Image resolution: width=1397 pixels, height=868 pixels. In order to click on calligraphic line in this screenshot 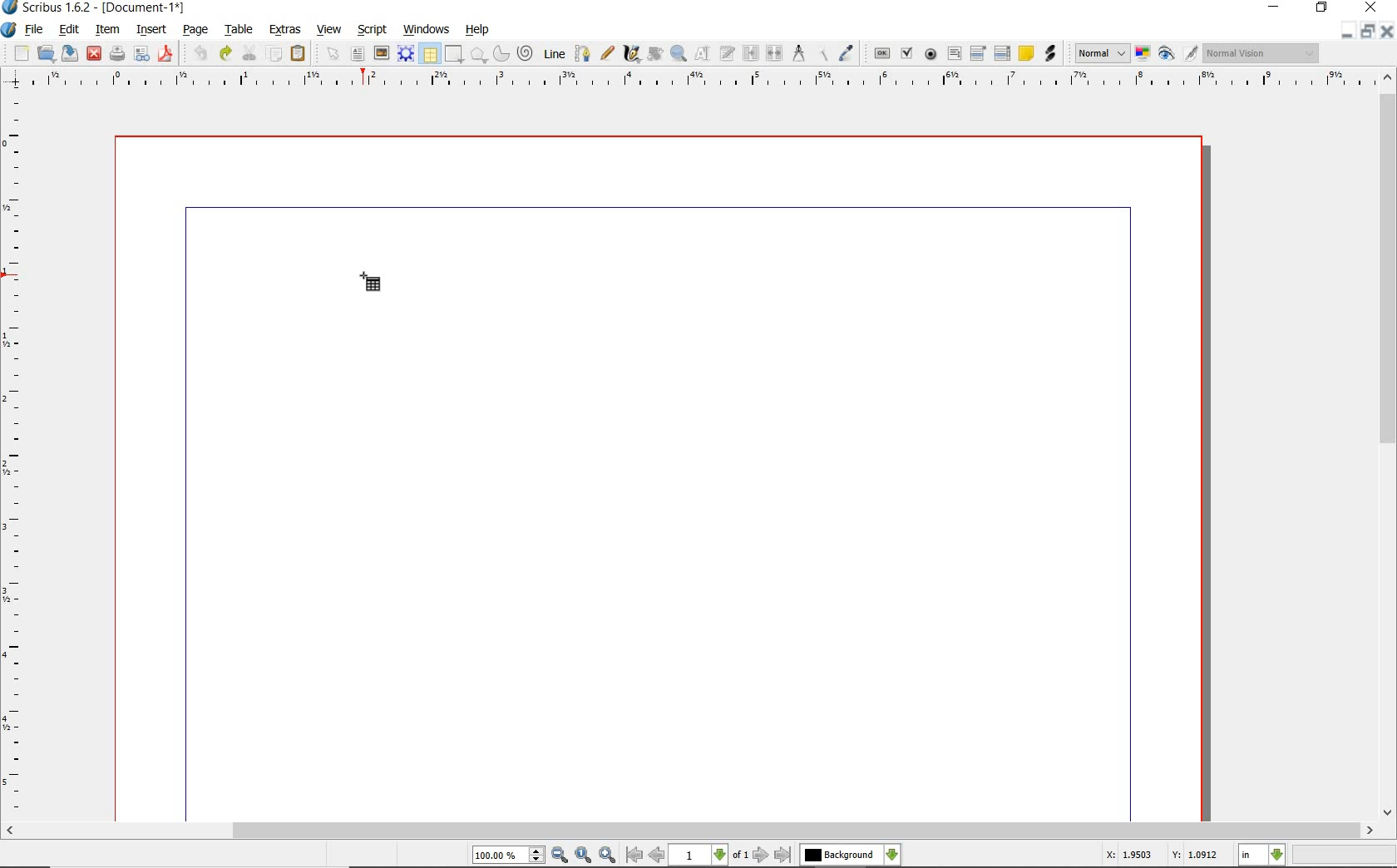, I will do `click(632, 54)`.